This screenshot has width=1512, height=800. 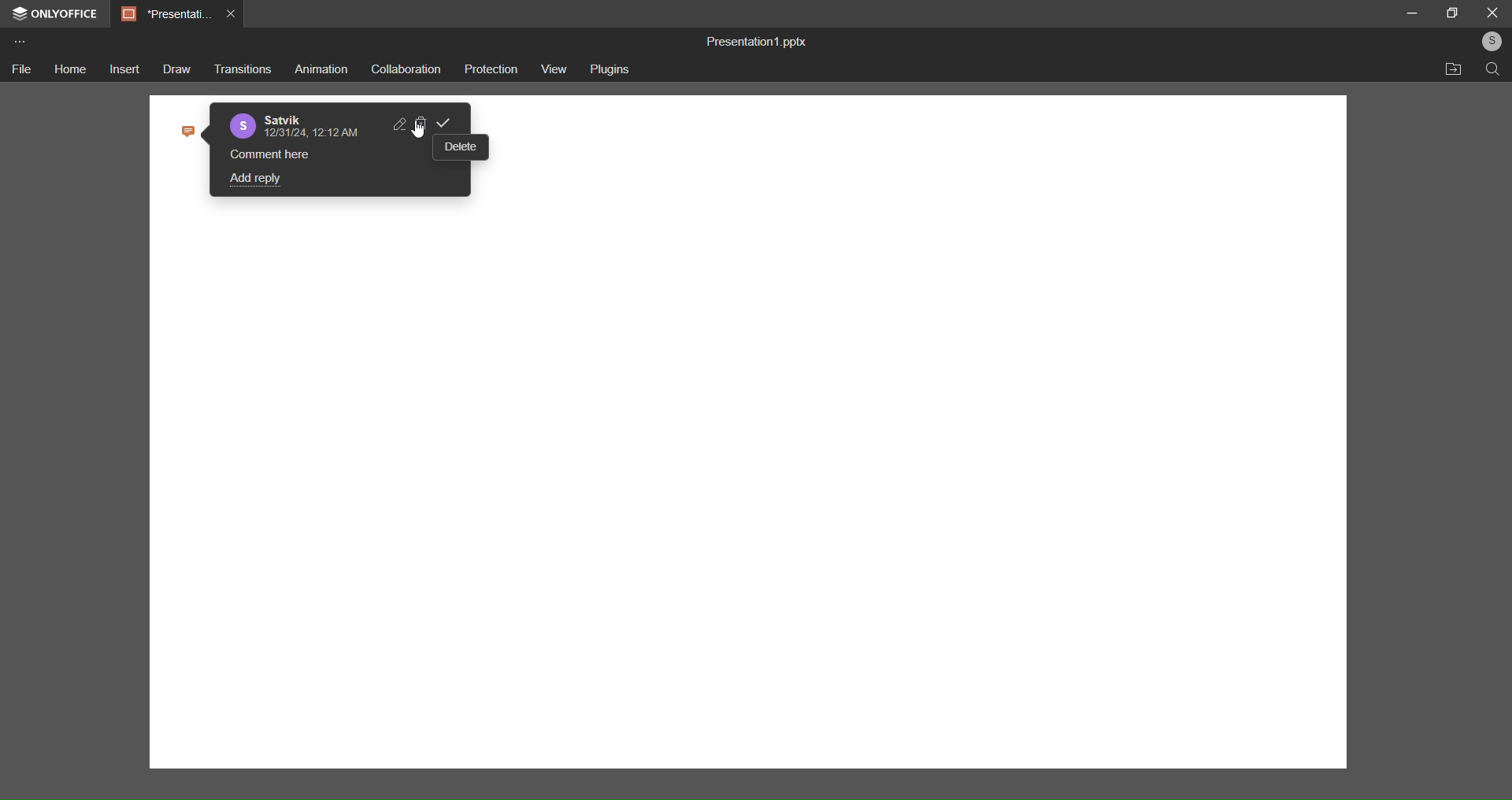 I want to click on protection, so click(x=492, y=72).